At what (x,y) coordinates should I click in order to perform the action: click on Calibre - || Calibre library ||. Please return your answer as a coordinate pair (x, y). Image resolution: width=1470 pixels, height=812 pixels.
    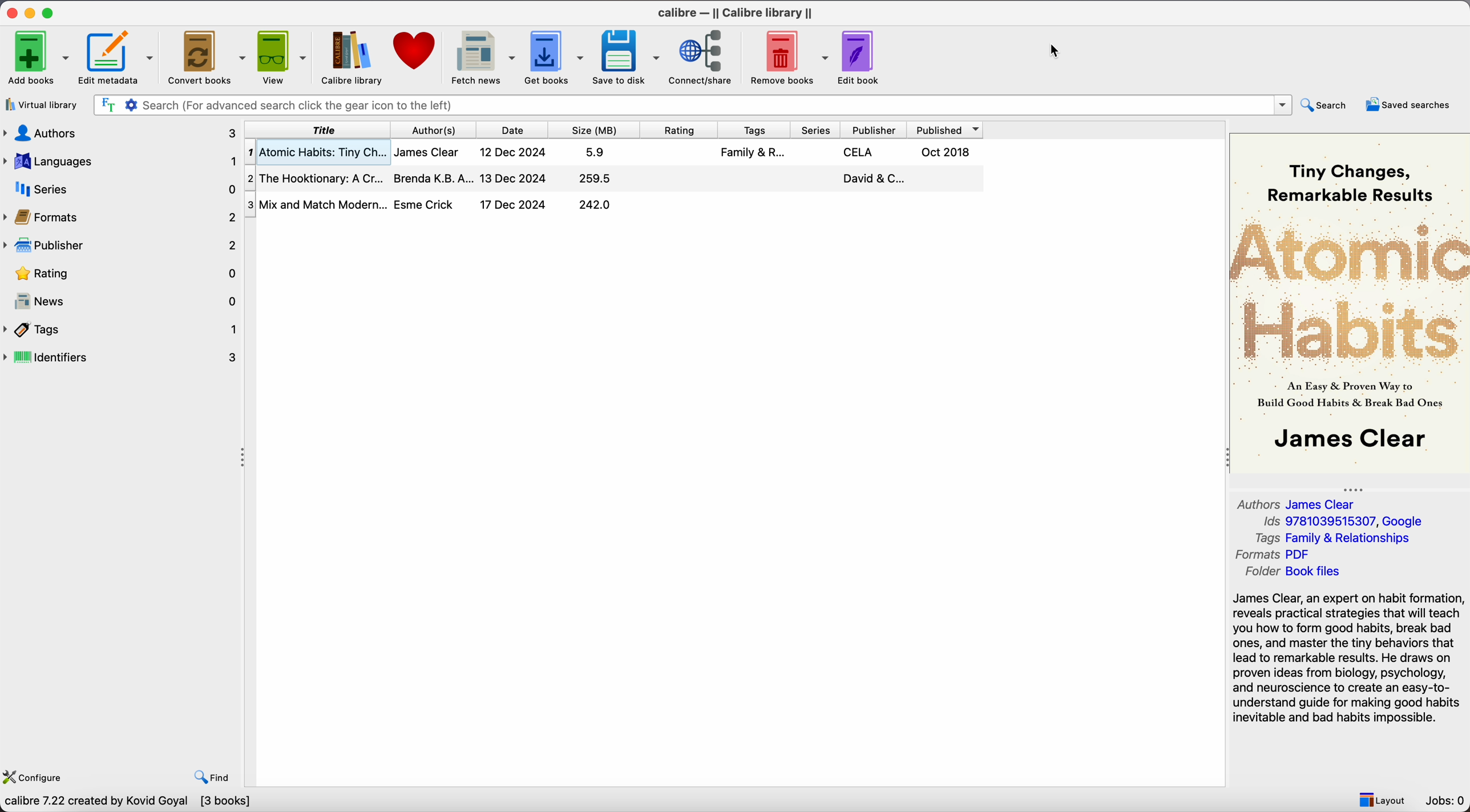
    Looking at the image, I should click on (738, 12).